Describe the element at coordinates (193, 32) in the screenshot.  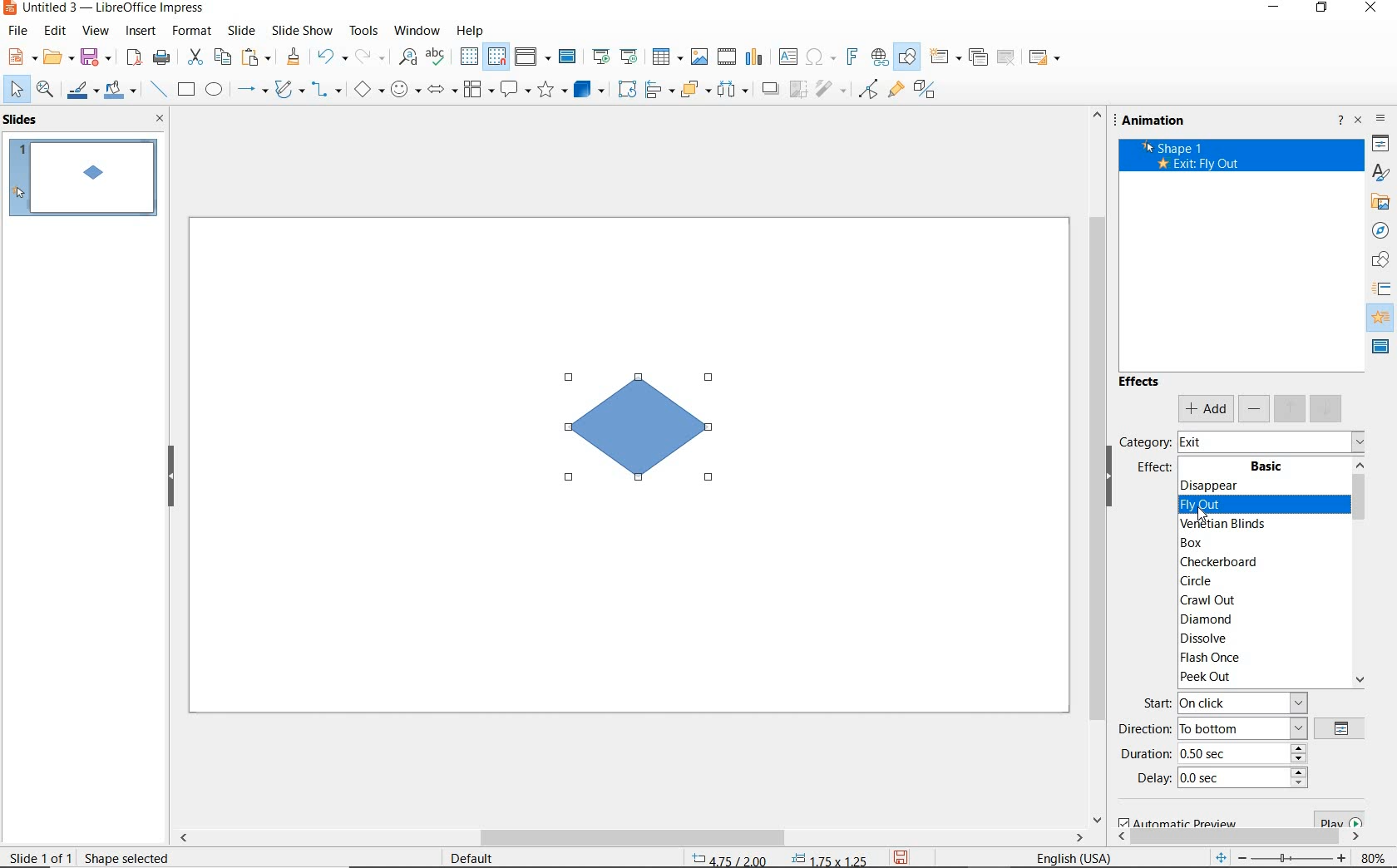
I see `format` at that location.